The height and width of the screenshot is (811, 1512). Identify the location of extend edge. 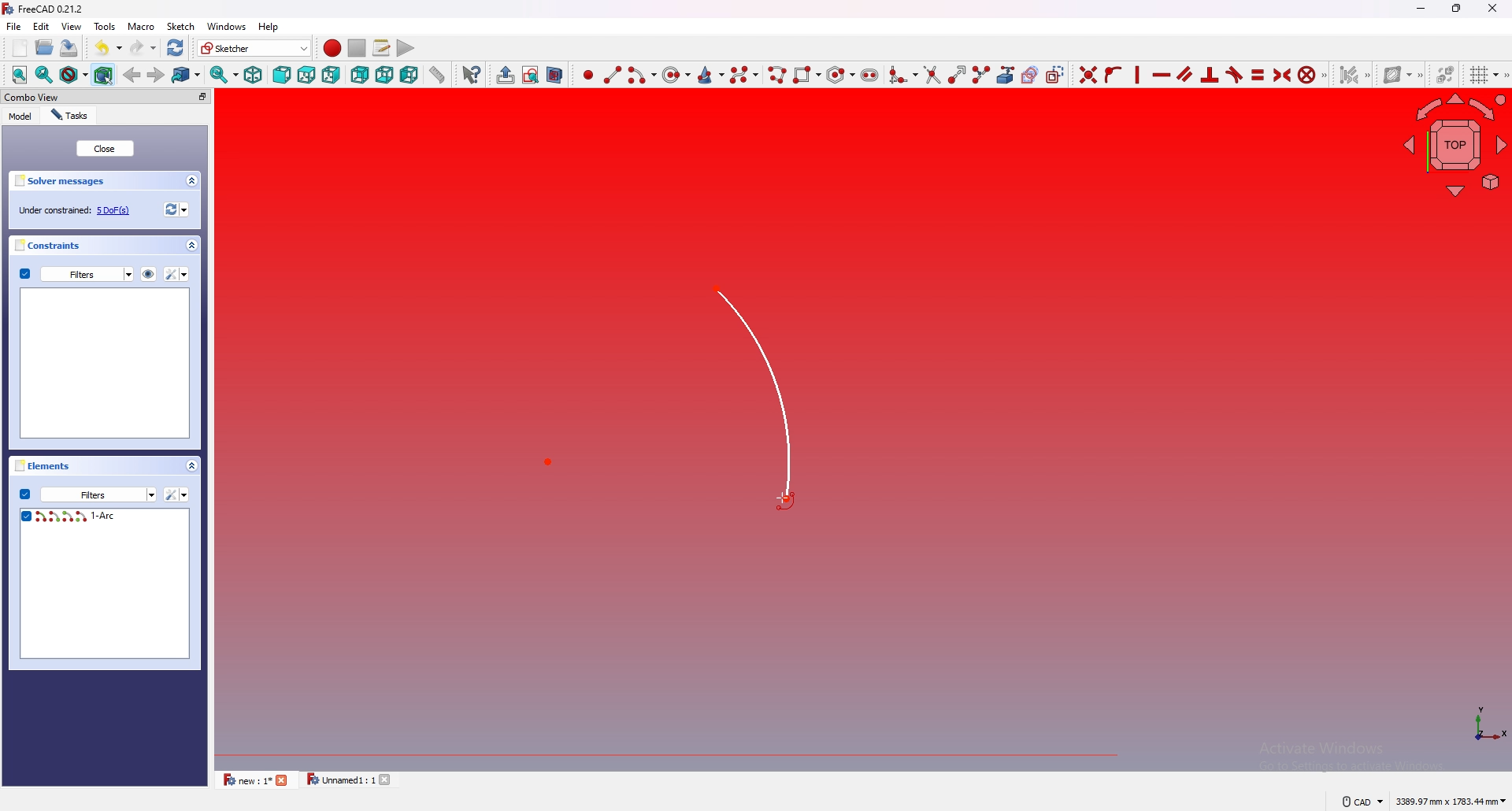
(954, 73).